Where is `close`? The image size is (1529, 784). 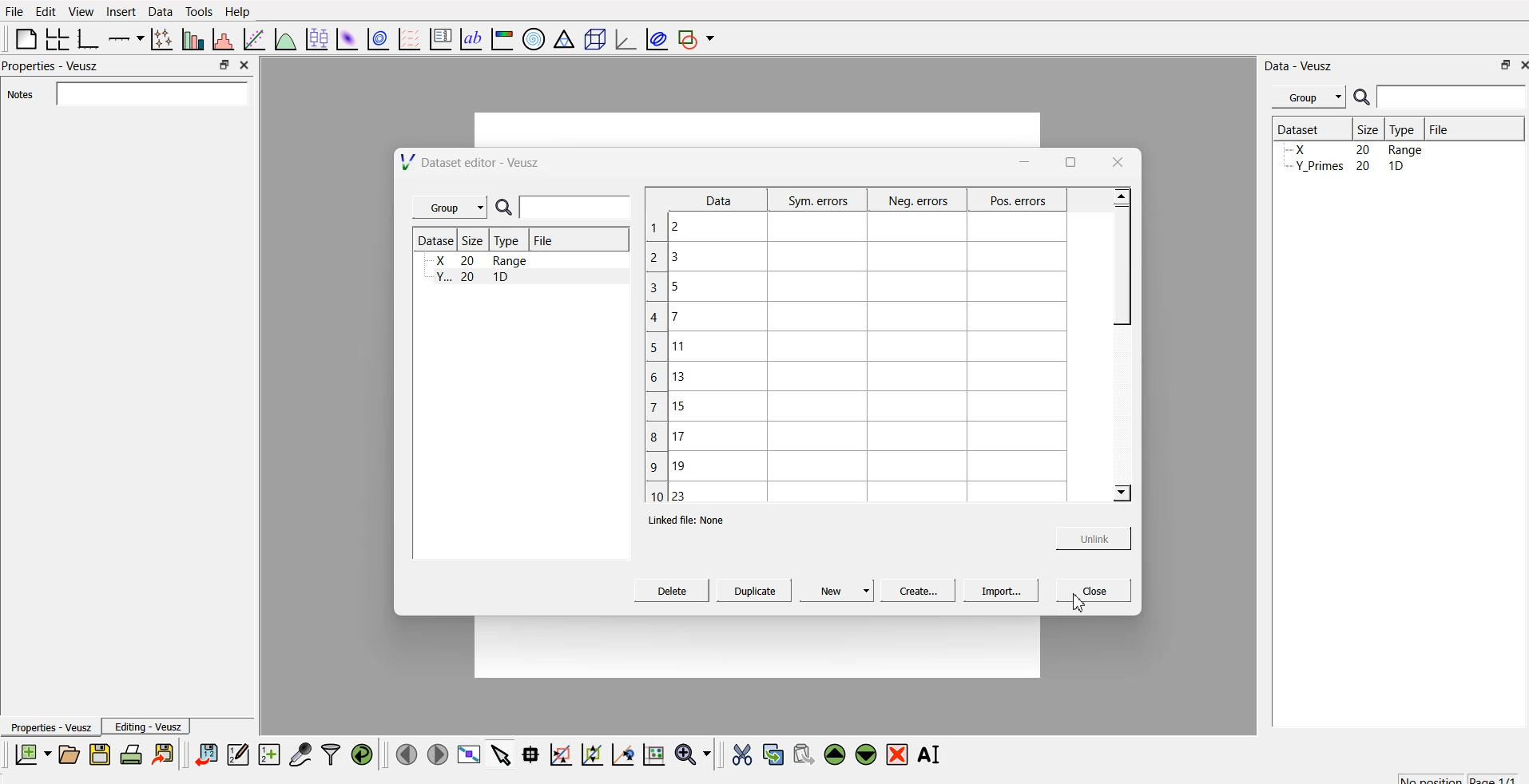 close is located at coordinates (243, 64).